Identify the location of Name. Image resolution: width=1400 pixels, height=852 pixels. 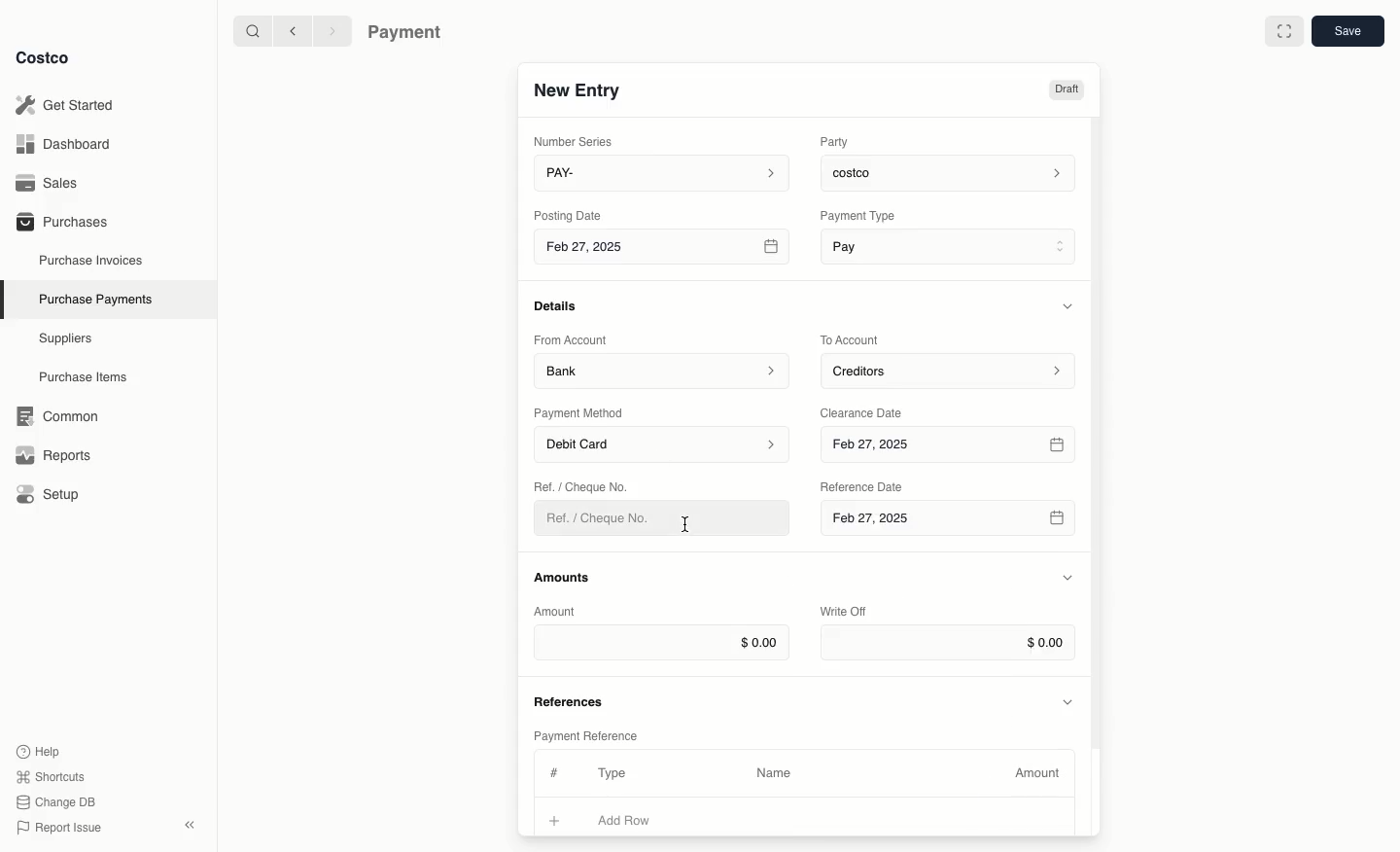
(774, 773).